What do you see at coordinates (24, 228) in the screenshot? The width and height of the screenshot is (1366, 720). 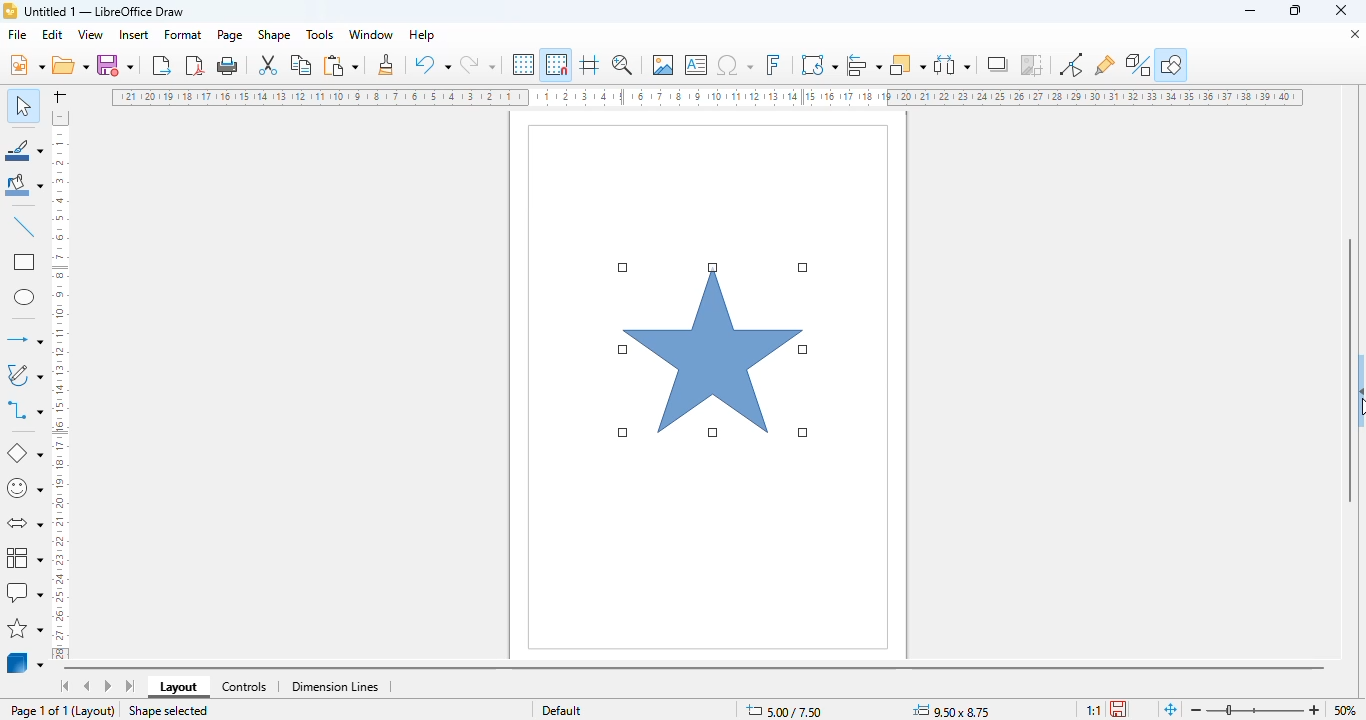 I see `insert line` at bounding box center [24, 228].